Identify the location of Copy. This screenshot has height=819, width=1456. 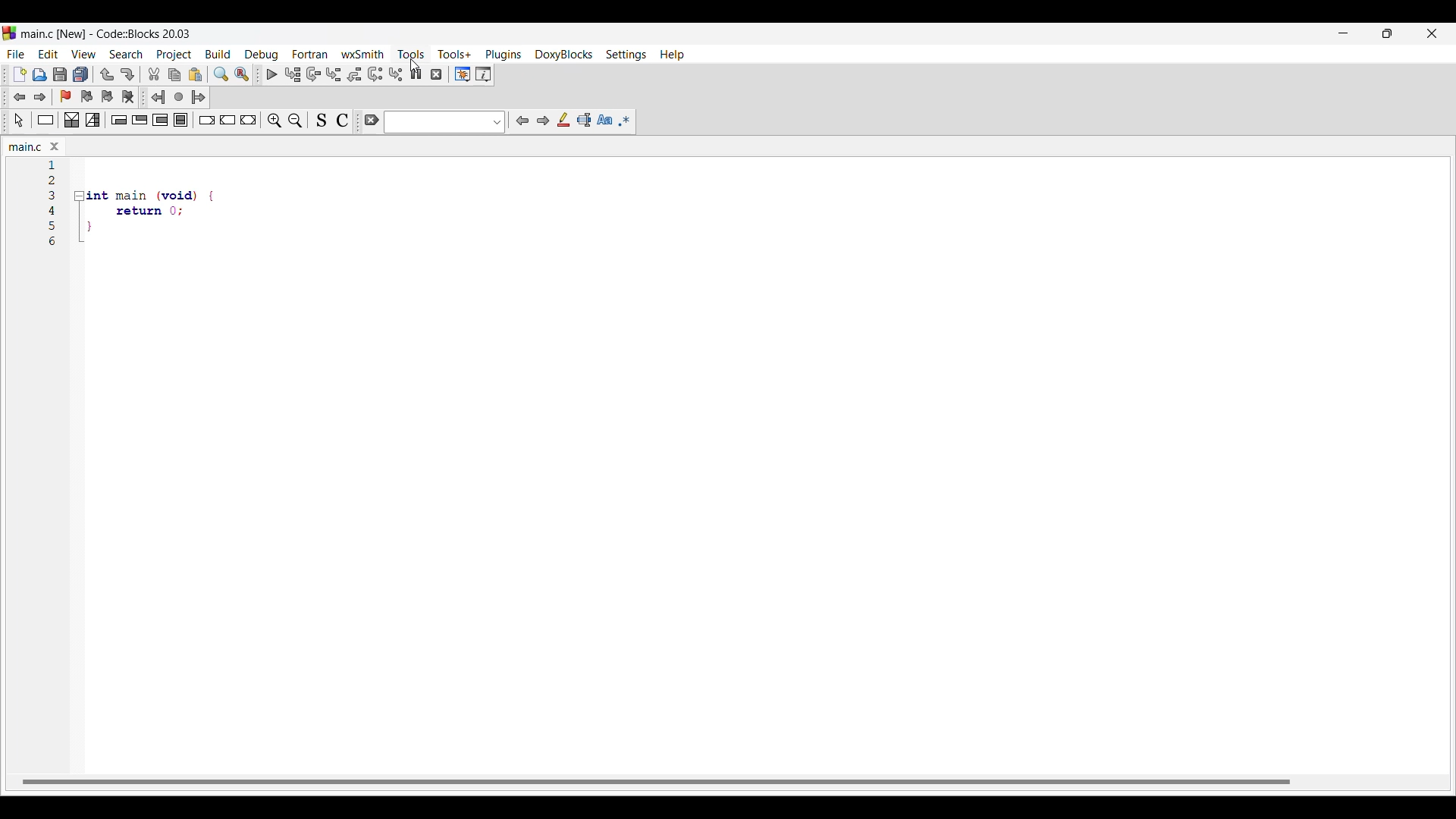
(174, 75).